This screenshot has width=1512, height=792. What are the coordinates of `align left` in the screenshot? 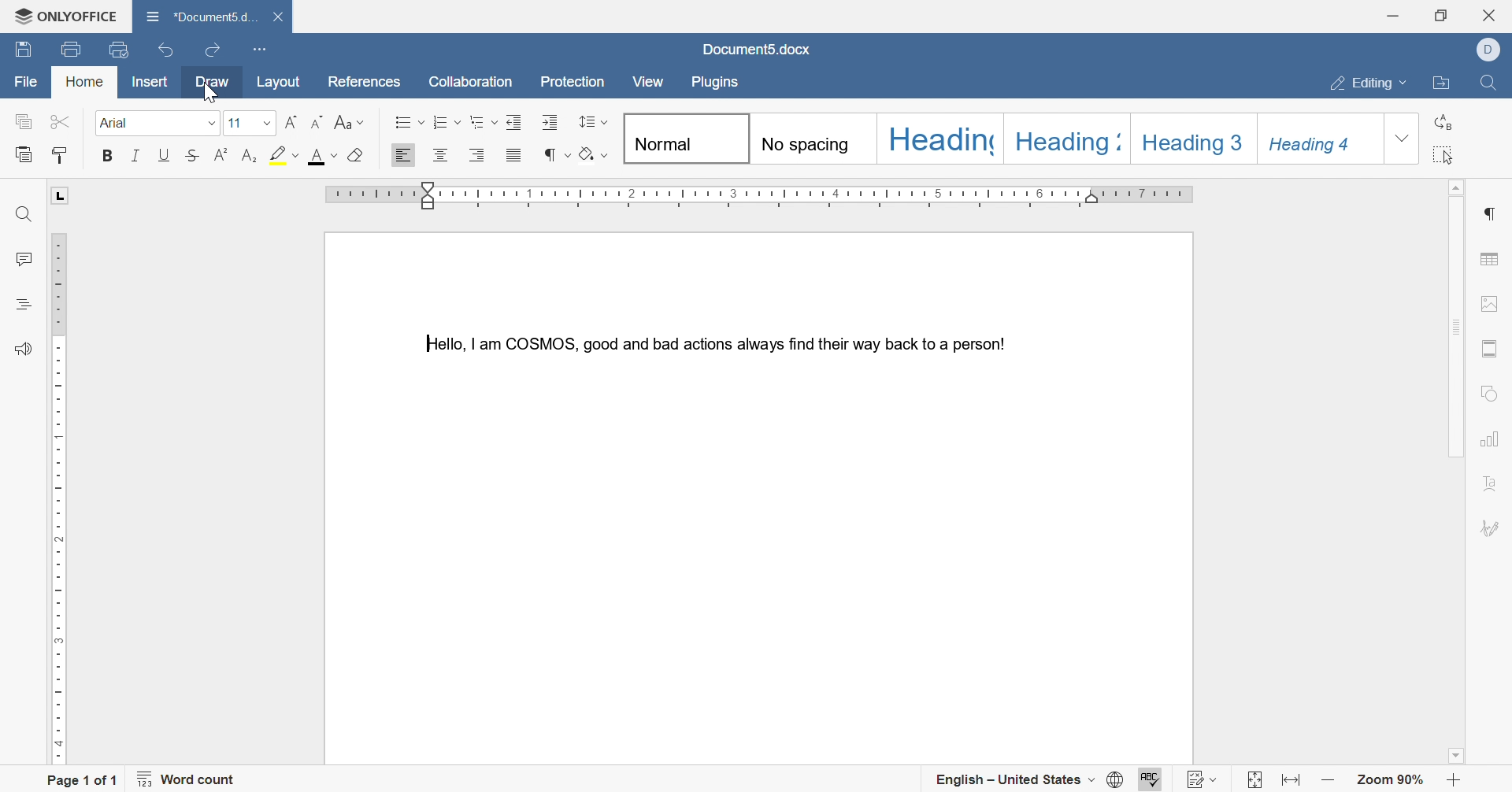 It's located at (405, 154).